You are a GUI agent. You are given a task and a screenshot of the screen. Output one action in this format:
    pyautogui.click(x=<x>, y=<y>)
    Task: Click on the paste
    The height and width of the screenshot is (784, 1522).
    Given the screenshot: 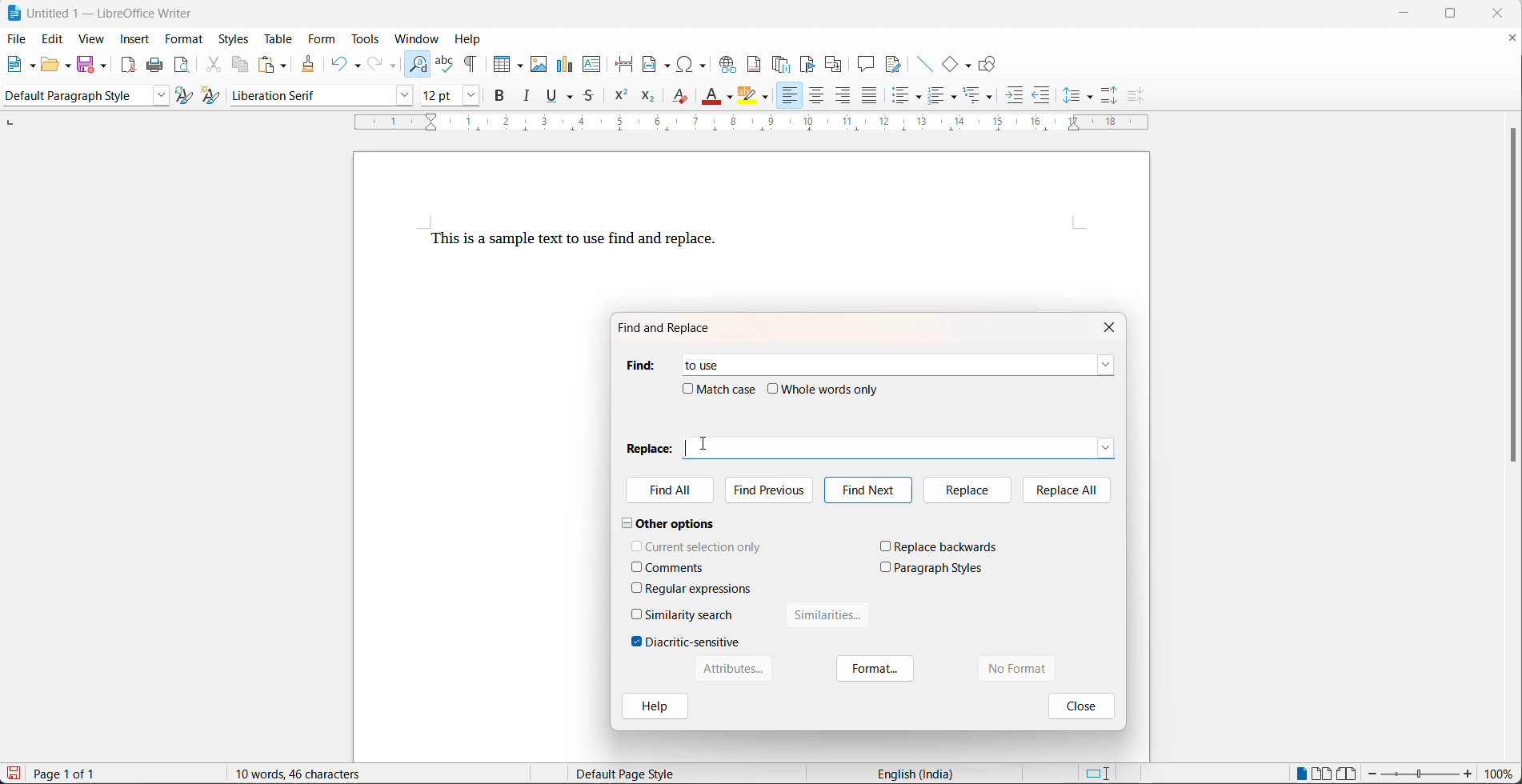 What is the action you would take?
    pyautogui.click(x=267, y=64)
    